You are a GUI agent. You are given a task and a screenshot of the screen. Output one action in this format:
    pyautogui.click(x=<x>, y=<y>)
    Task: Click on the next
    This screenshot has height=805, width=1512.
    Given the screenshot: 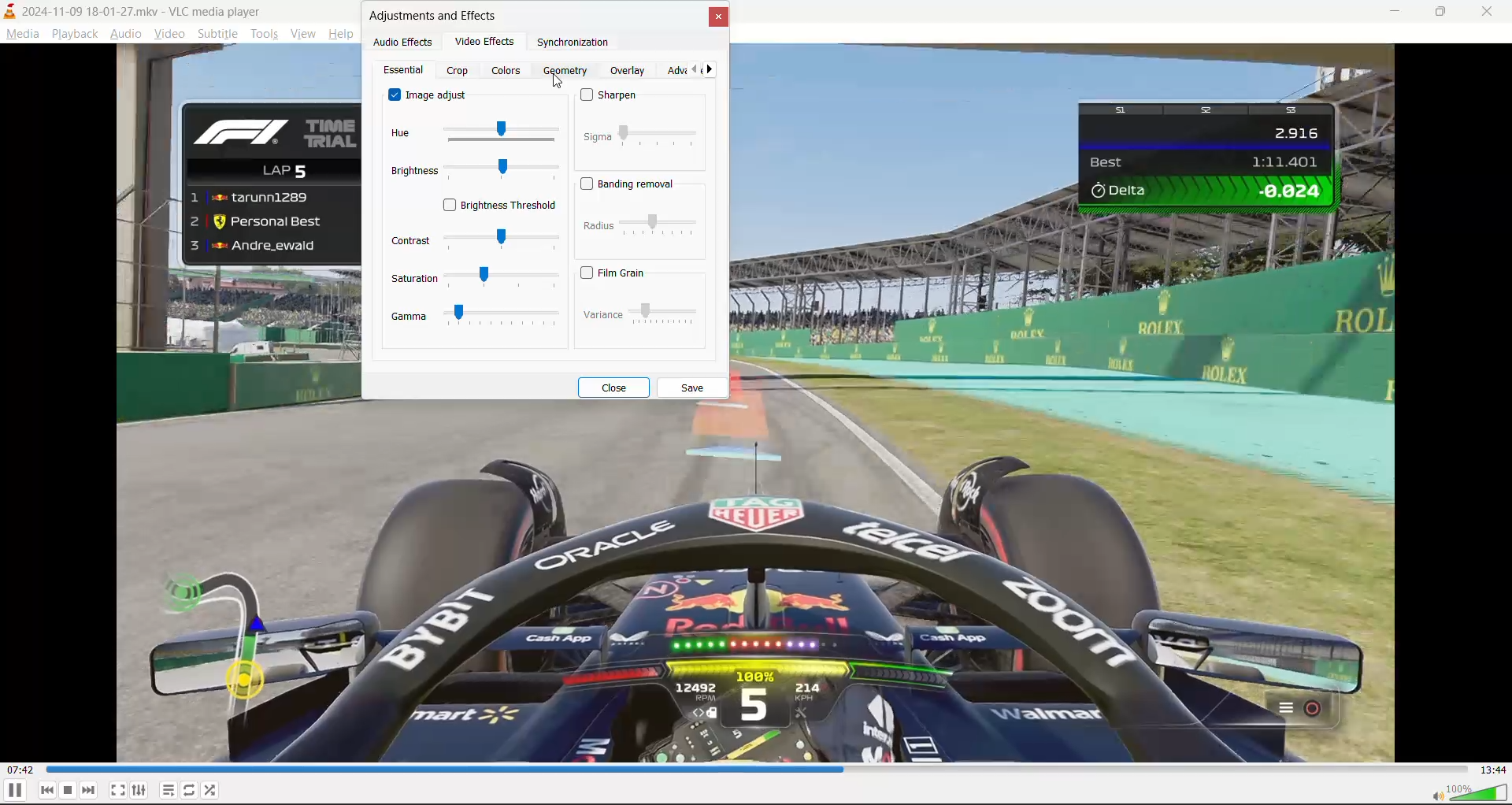 What is the action you would take?
    pyautogui.click(x=713, y=69)
    